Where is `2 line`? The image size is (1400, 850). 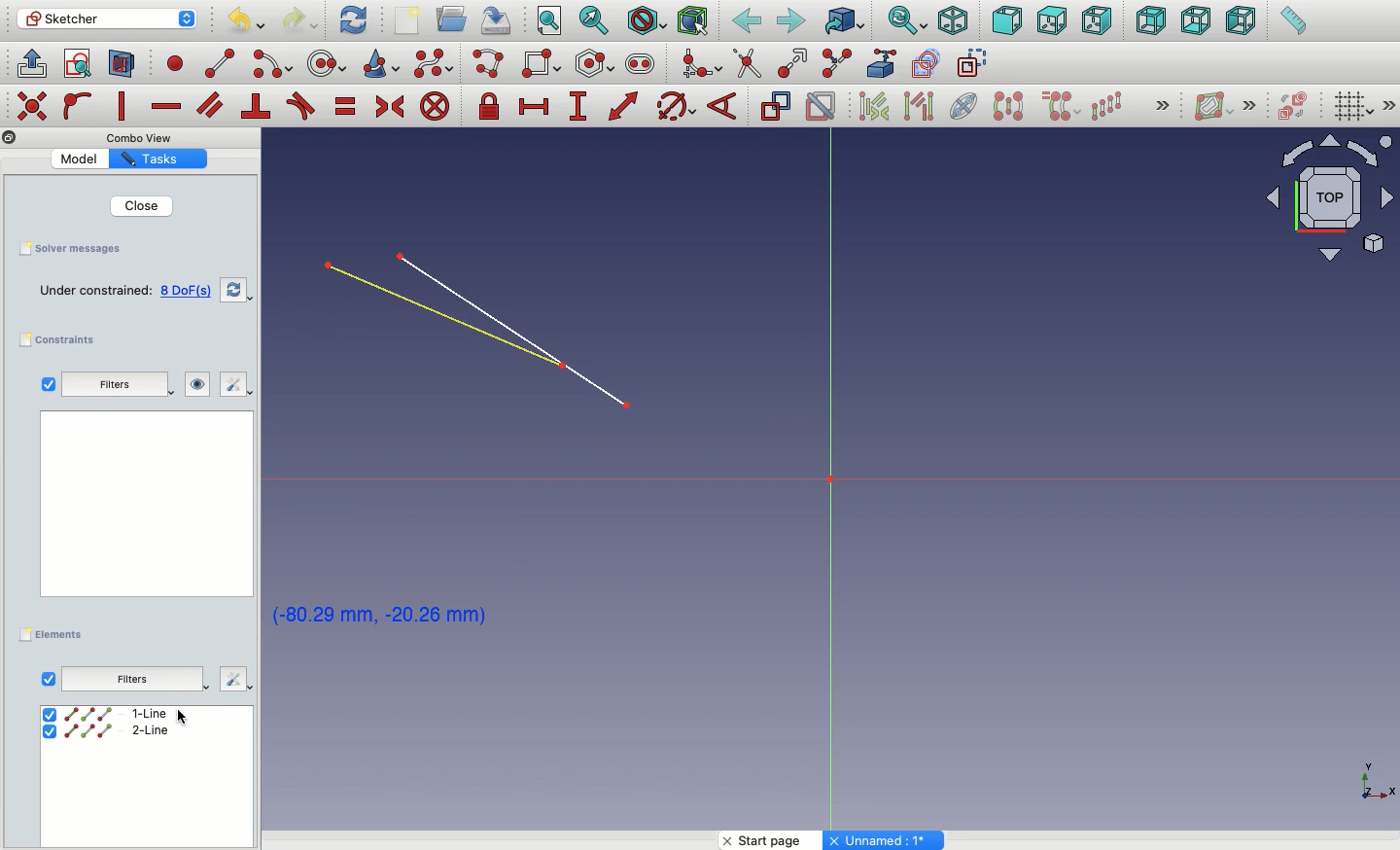
2 line is located at coordinates (110, 733).